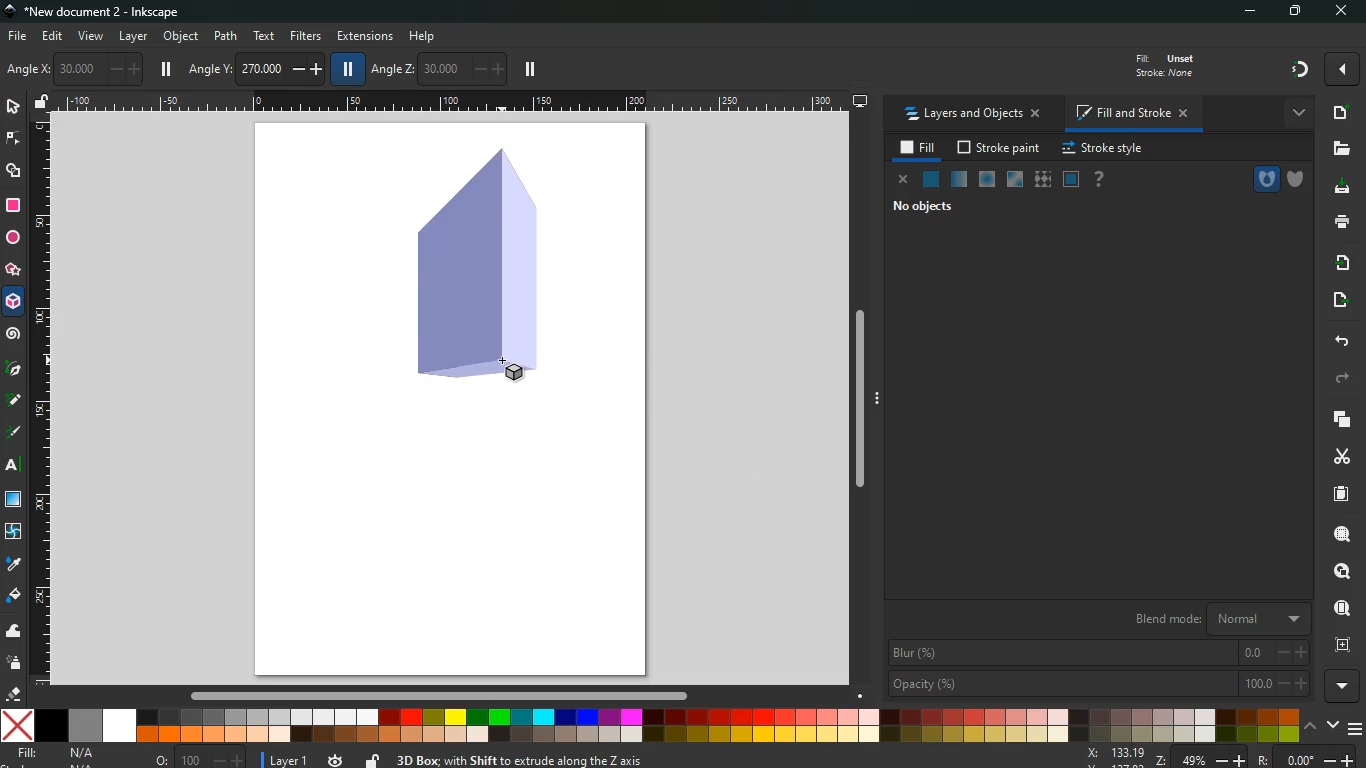 Image resolution: width=1366 pixels, height=768 pixels. Describe the element at coordinates (16, 37) in the screenshot. I see `file` at that location.